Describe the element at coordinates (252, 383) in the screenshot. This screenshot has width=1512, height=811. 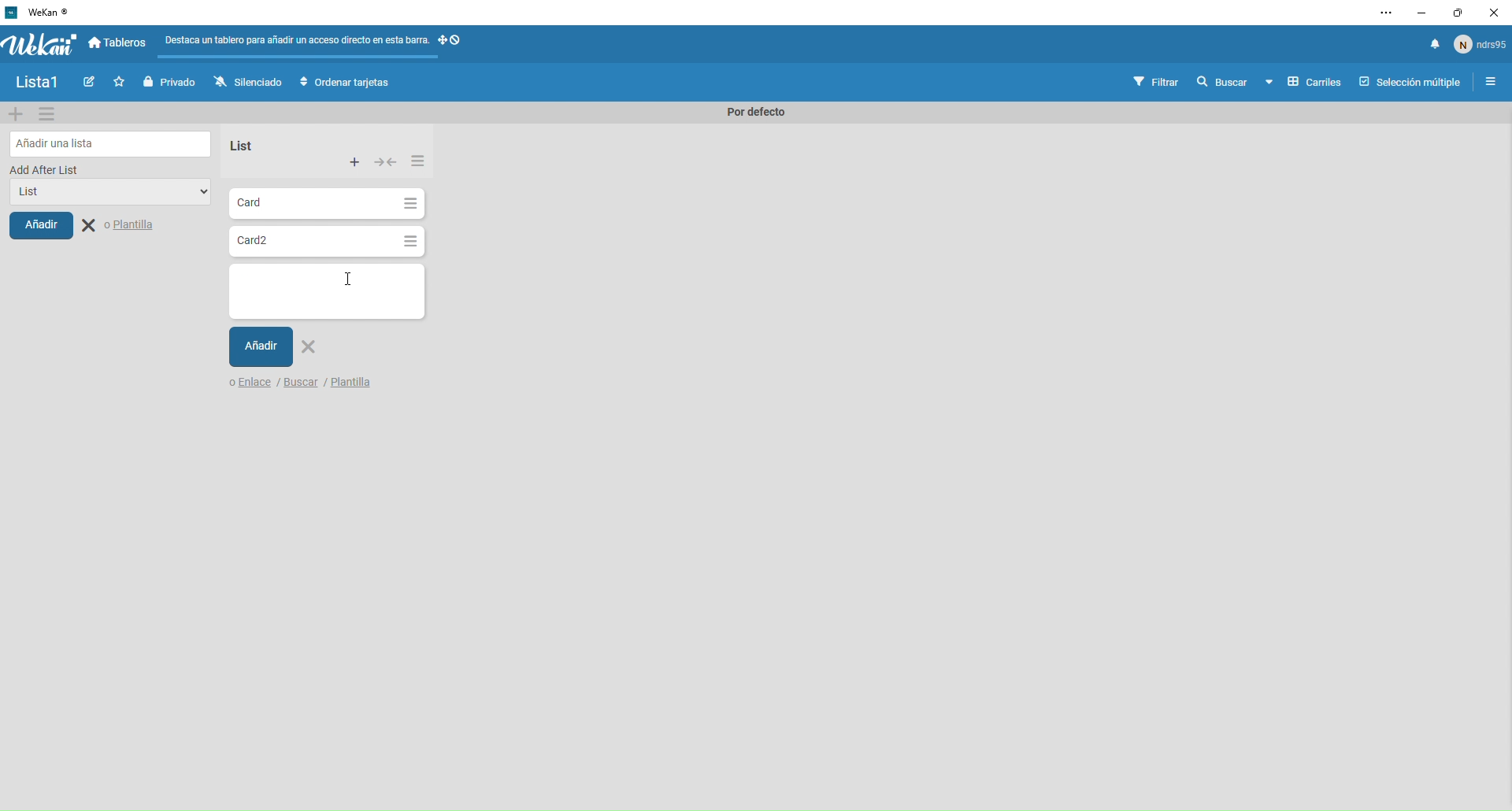
I see `link` at that location.